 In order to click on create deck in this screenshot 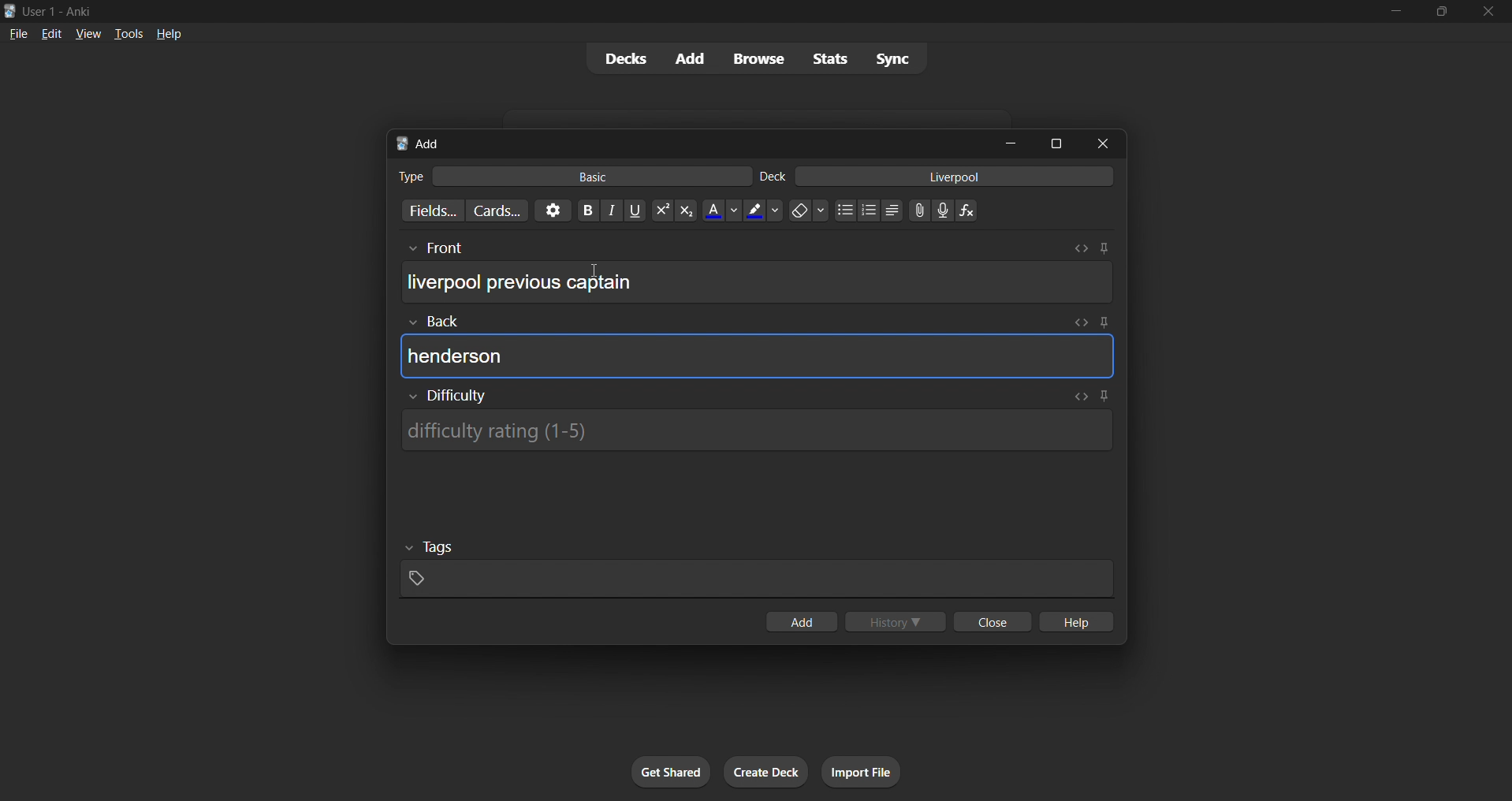, I will do `click(767, 773)`.